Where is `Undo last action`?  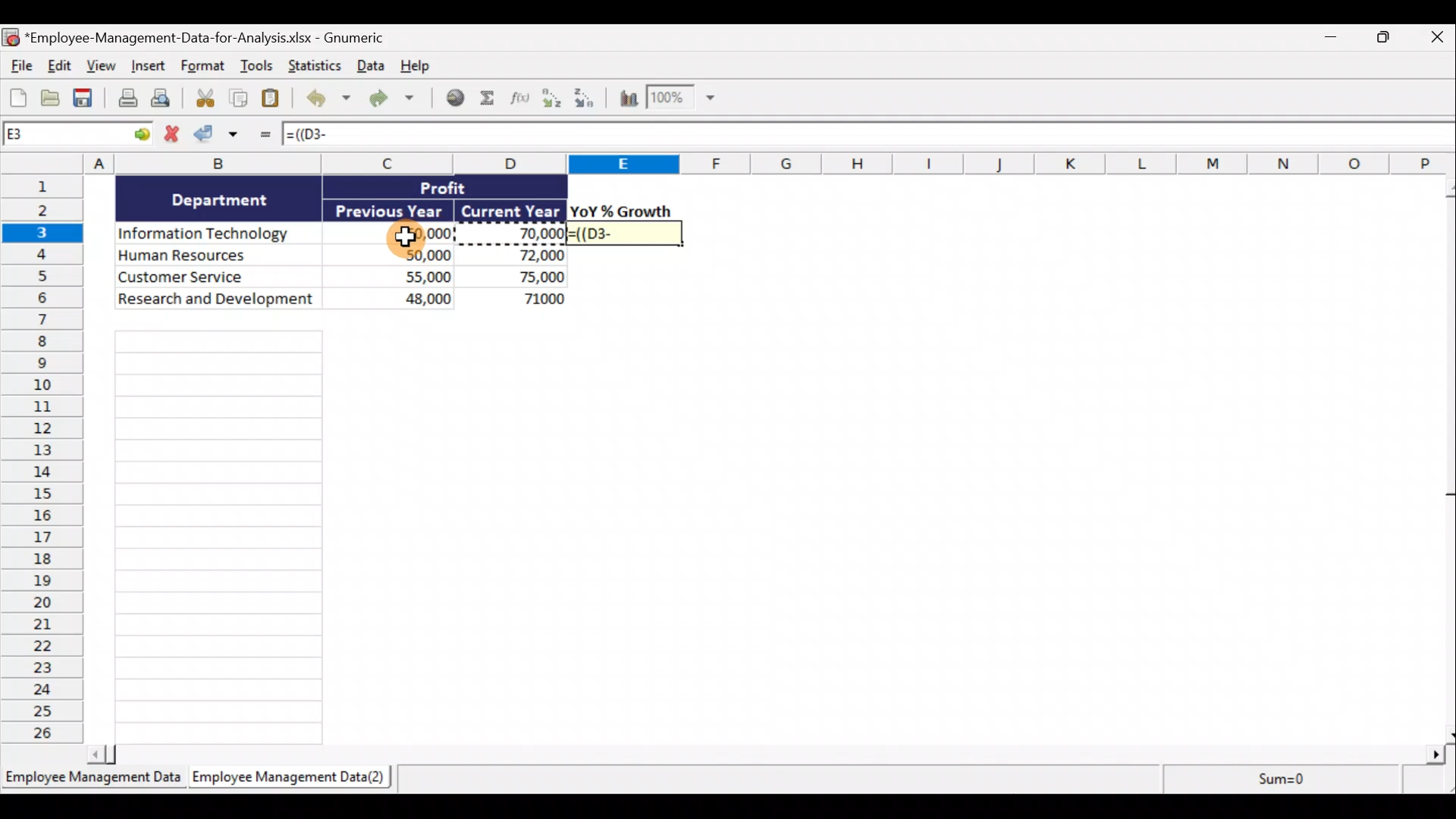
Undo last action is located at coordinates (325, 99).